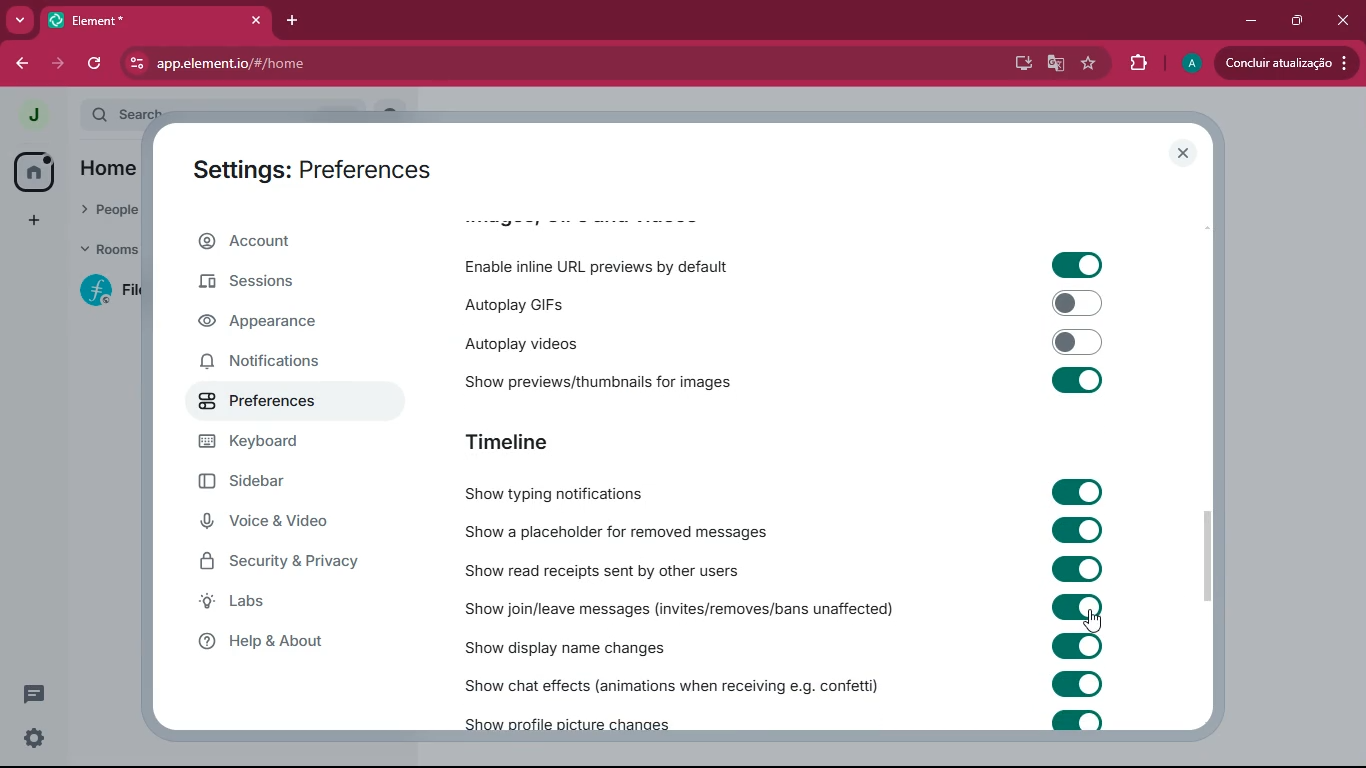 This screenshot has height=768, width=1366. Describe the element at coordinates (569, 719) in the screenshot. I see `show profile picture changes` at that location.